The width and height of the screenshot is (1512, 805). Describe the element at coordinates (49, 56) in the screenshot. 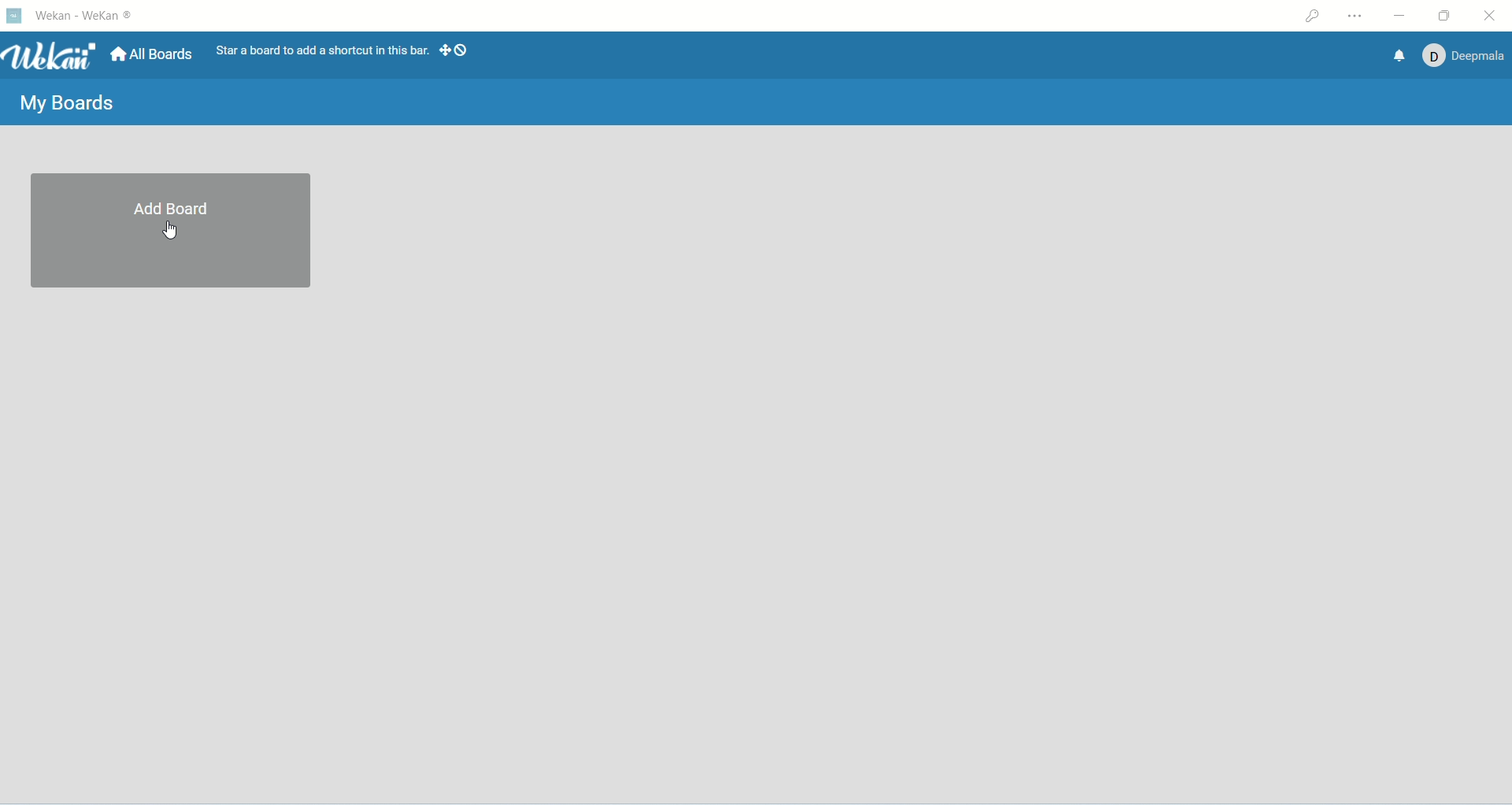

I see `Wekan logo` at that location.